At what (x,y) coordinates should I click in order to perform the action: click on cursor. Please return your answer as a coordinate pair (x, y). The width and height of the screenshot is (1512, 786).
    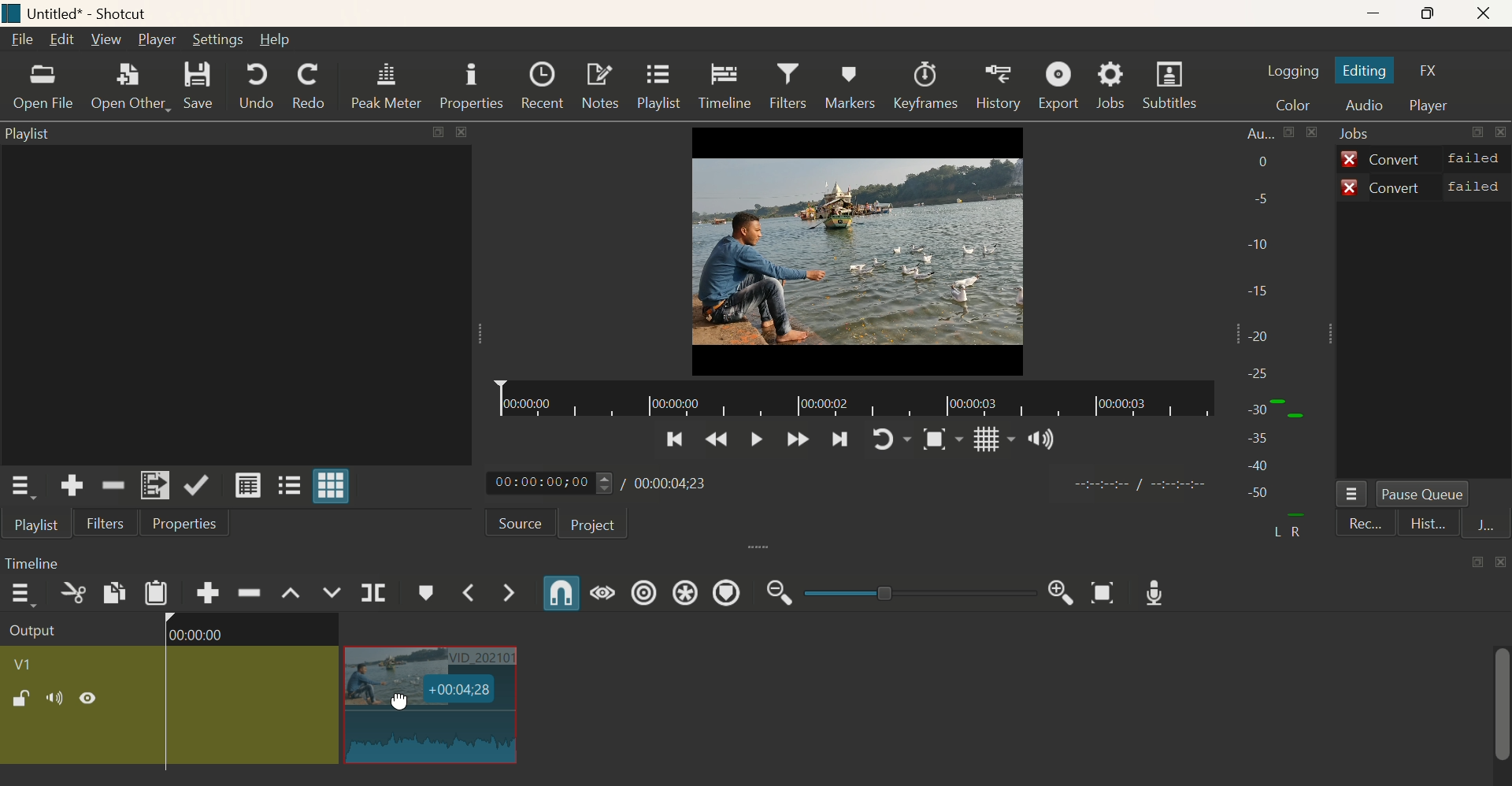
    Looking at the image, I should click on (399, 705).